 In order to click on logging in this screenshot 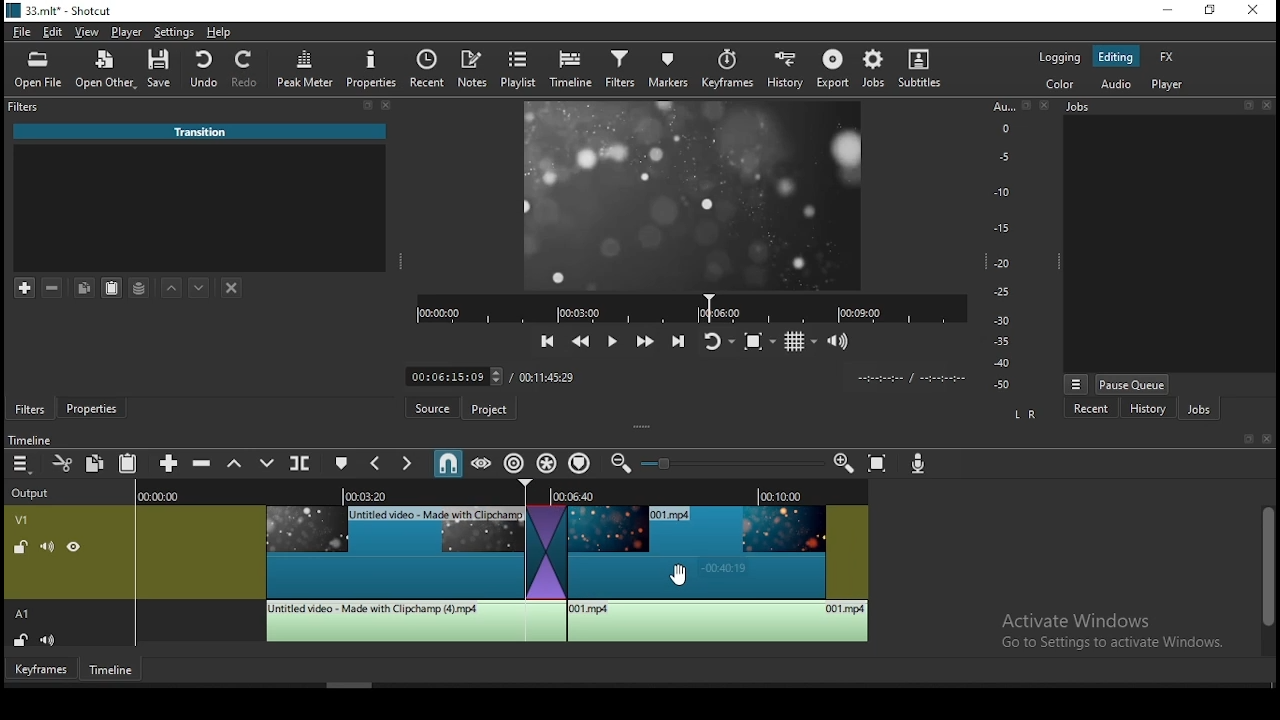, I will do `click(1061, 57)`.